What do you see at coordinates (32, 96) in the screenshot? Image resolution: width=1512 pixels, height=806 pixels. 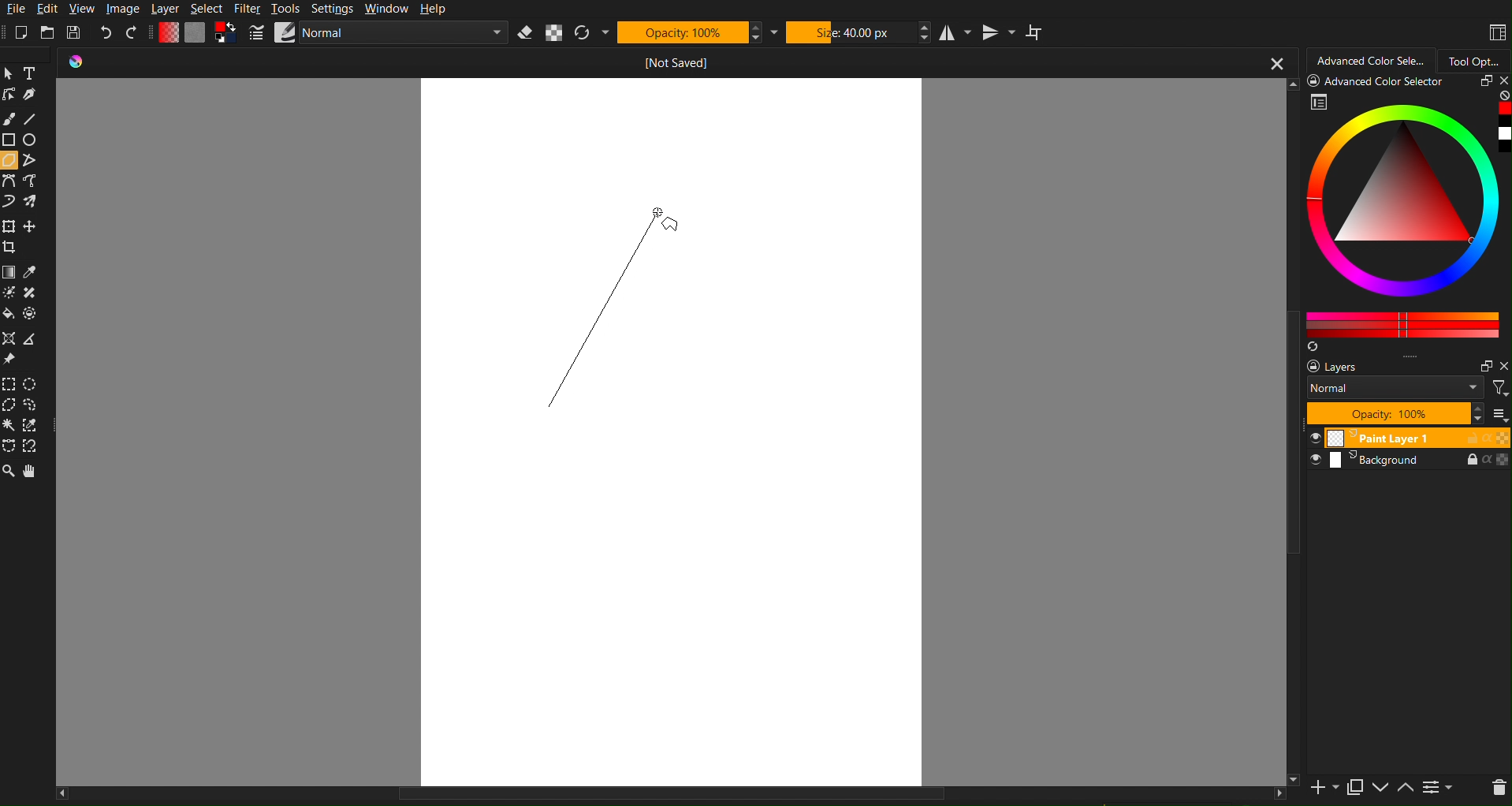 I see `calligraphy` at bounding box center [32, 96].